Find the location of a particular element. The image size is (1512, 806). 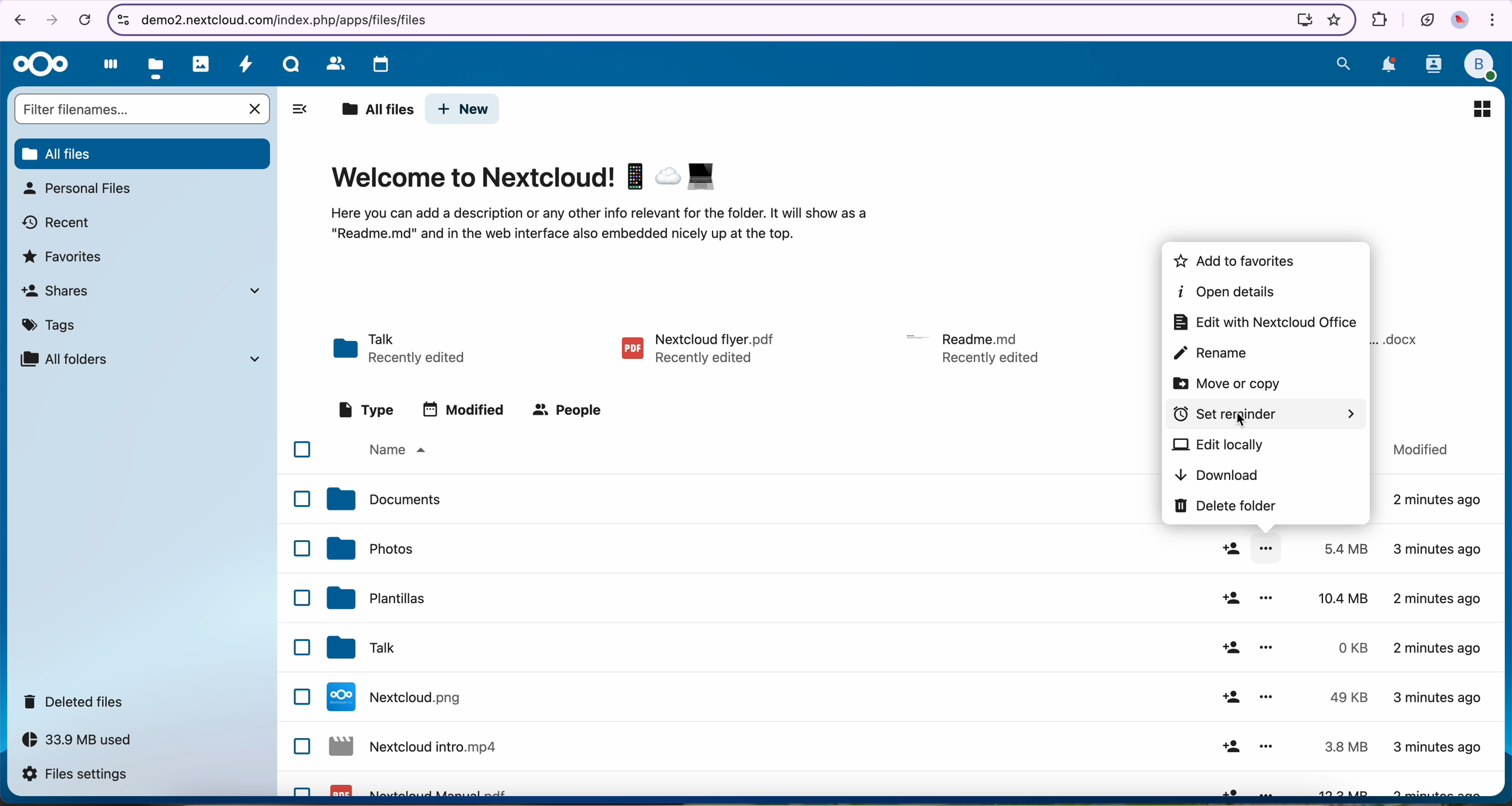

activity is located at coordinates (247, 64).